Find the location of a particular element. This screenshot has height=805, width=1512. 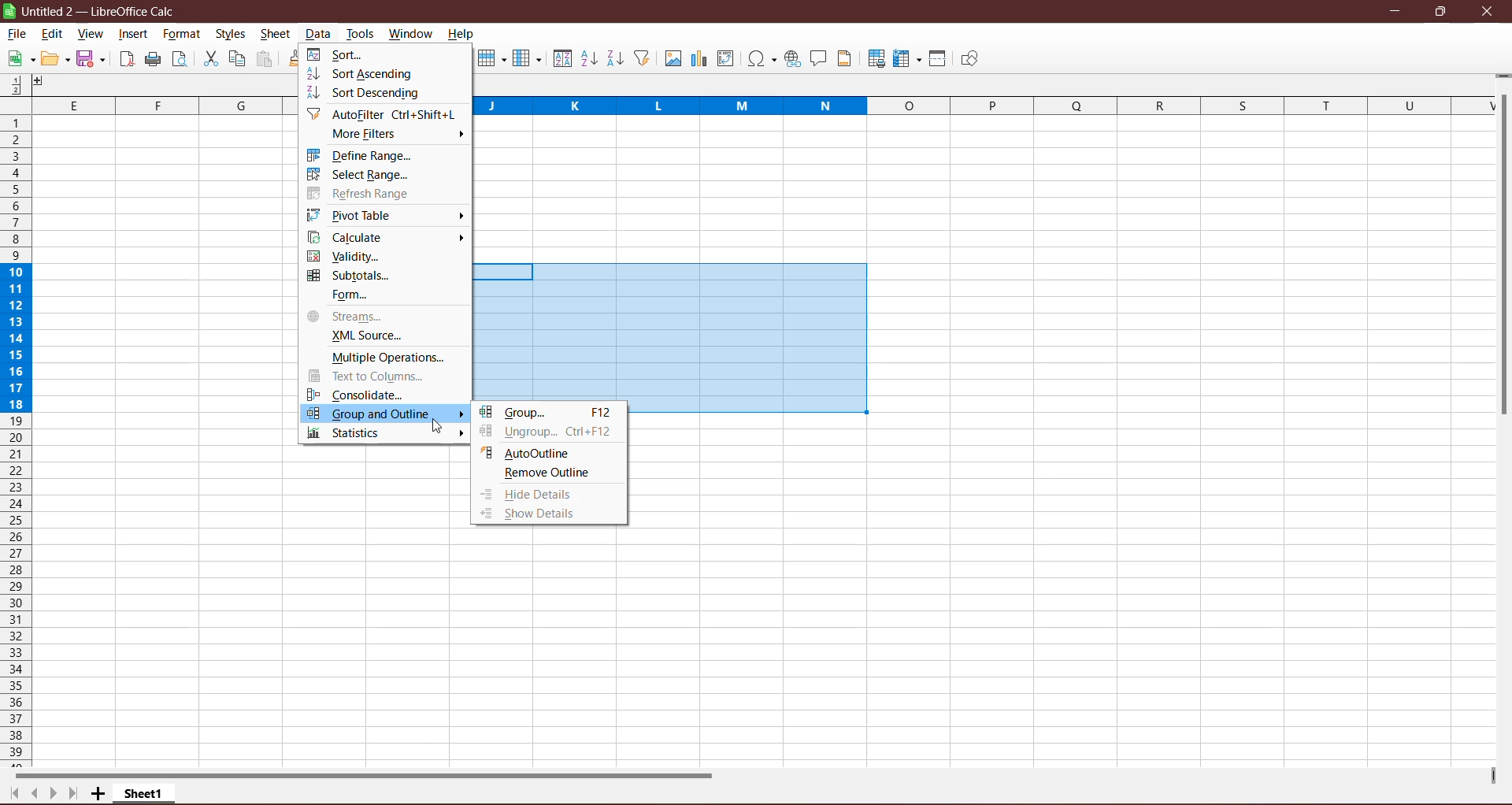

Format is located at coordinates (181, 34).